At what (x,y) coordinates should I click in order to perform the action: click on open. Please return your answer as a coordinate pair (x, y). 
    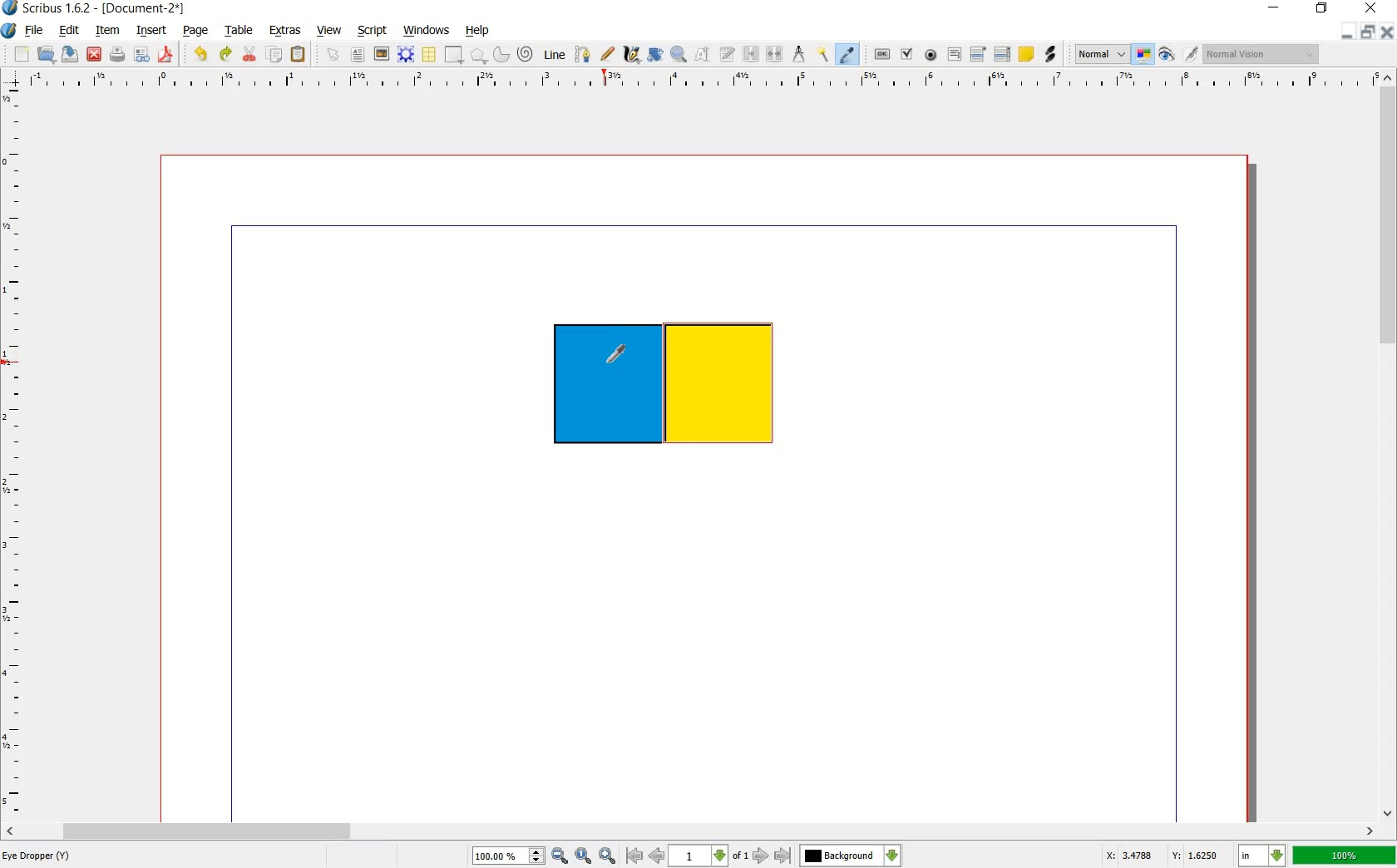
    Looking at the image, I should click on (45, 54).